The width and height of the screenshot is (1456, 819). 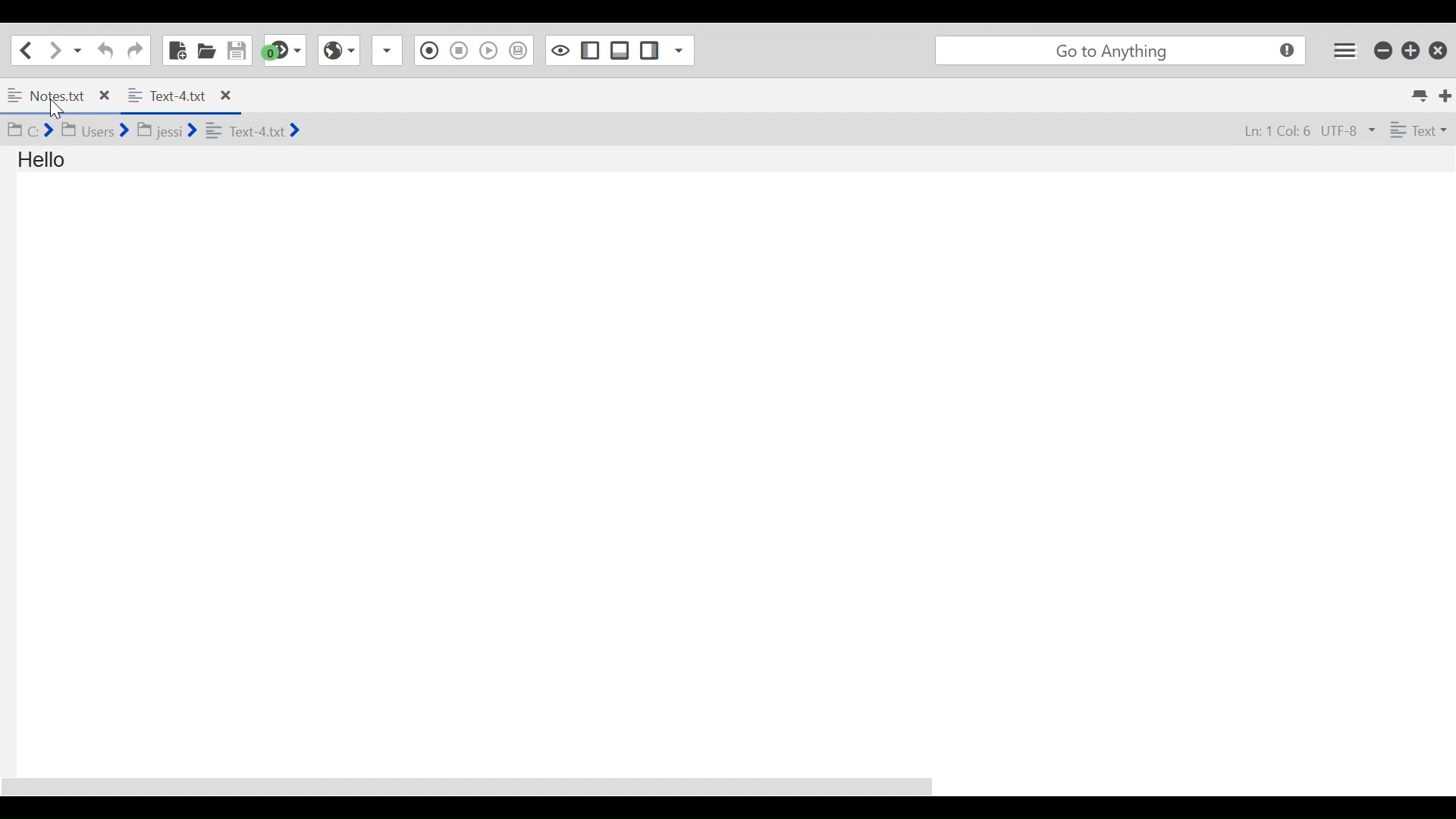 I want to click on Play Last Macro, so click(x=489, y=52).